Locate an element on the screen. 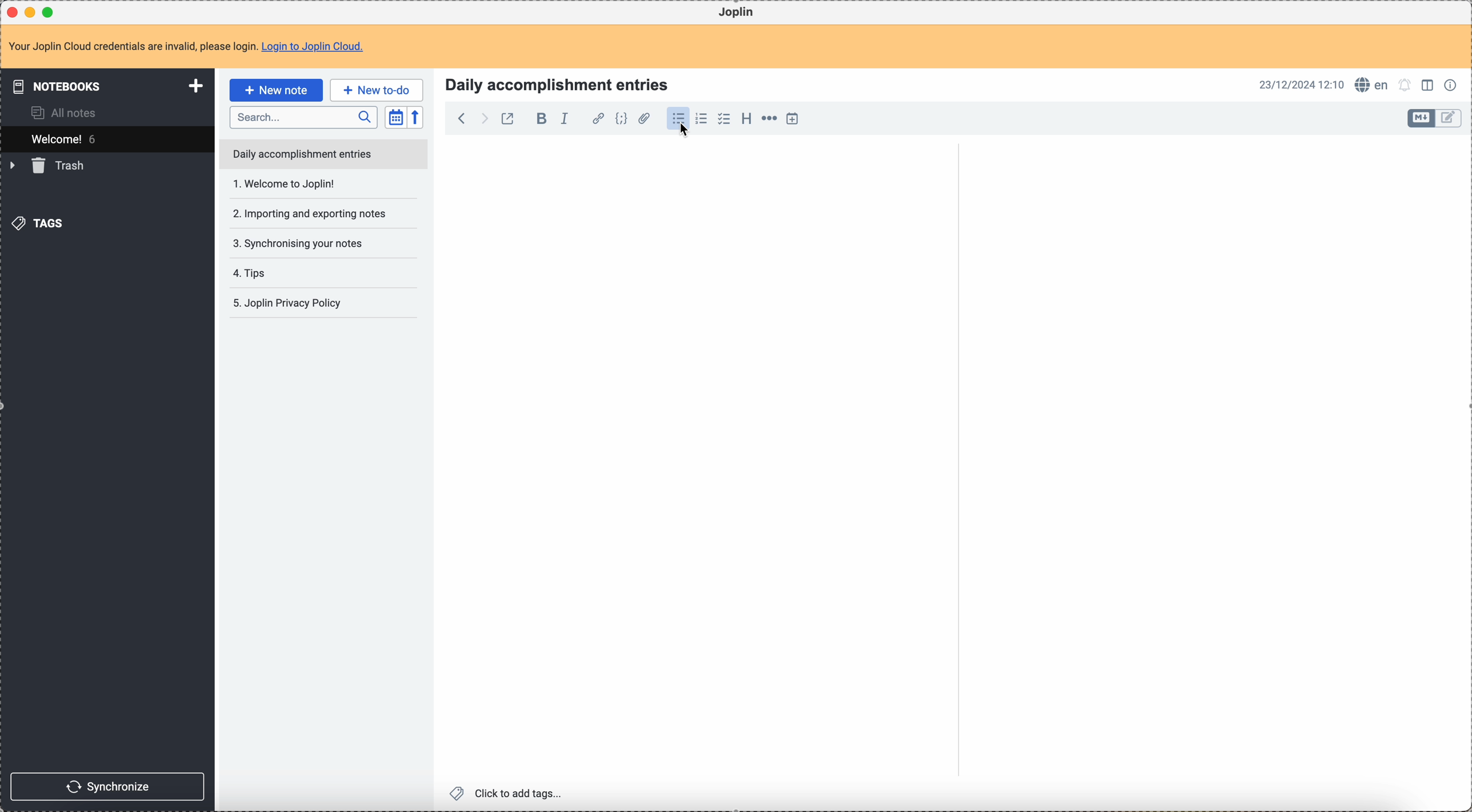  note is located at coordinates (186, 47).